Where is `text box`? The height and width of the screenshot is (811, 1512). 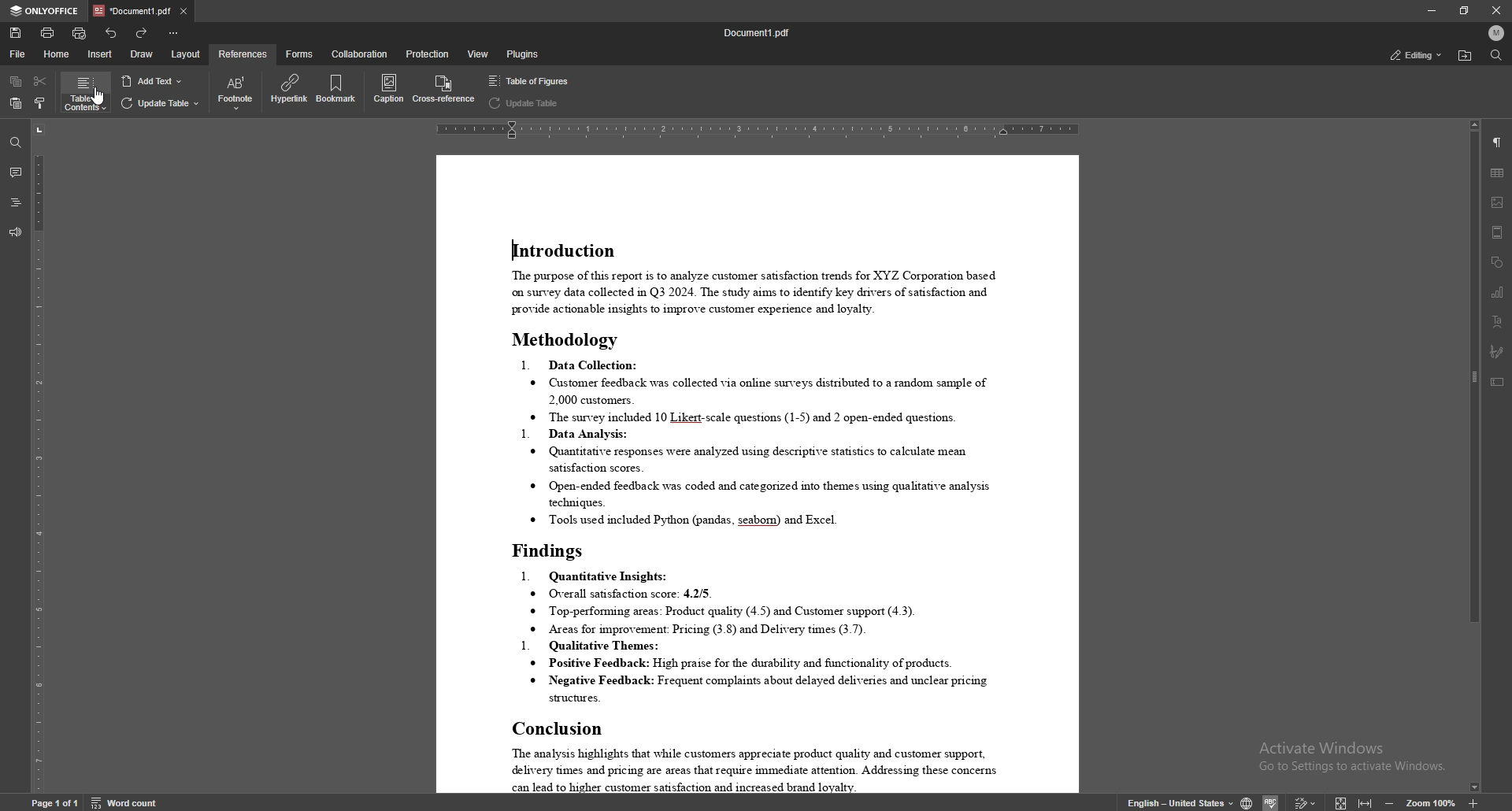
text box is located at coordinates (1496, 382).